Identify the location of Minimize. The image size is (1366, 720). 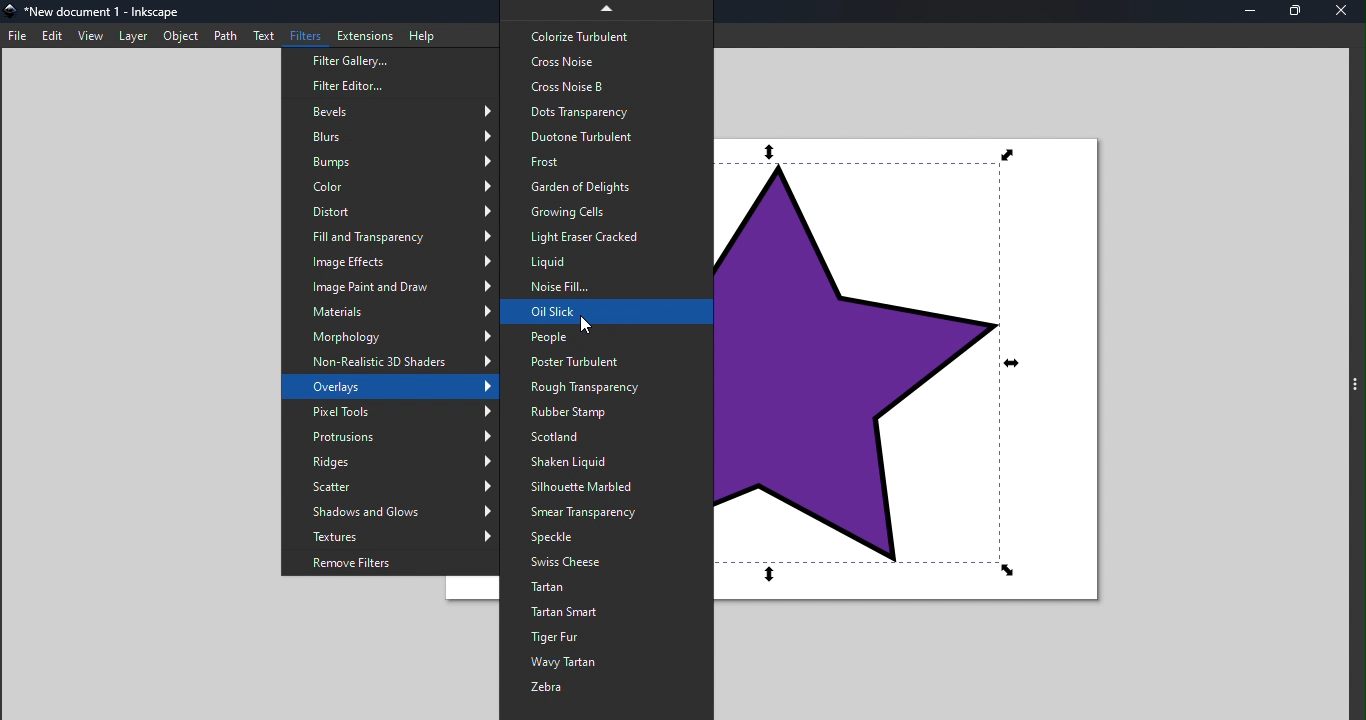
(1254, 14).